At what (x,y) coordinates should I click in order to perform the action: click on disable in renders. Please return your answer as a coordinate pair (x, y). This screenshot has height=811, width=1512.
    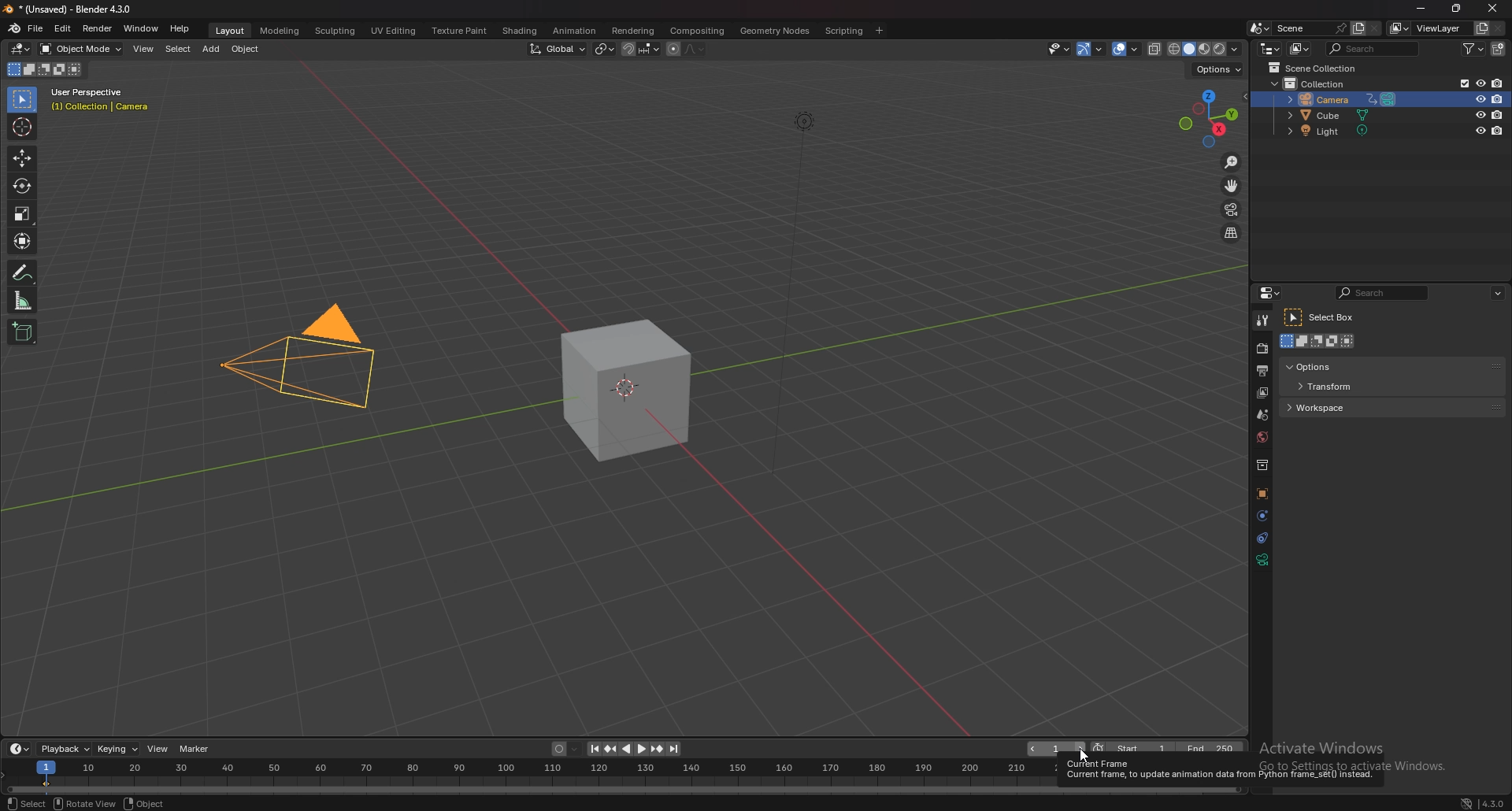
    Looking at the image, I should click on (1498, 114).